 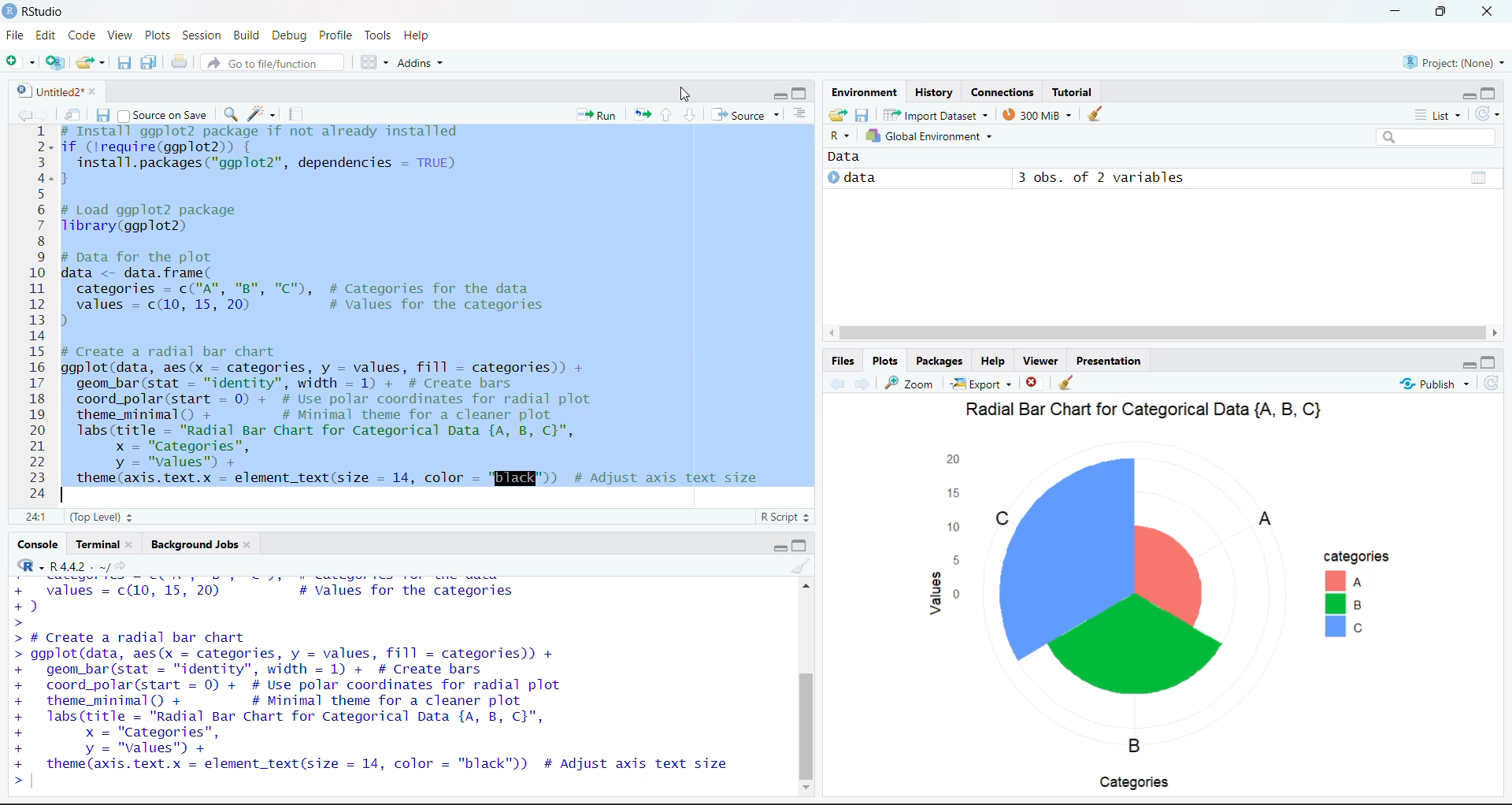 What do you see at coordinates (802, 694) in the screenshot?
I see `vertical scroll bar` at bounding box center [802, 694].